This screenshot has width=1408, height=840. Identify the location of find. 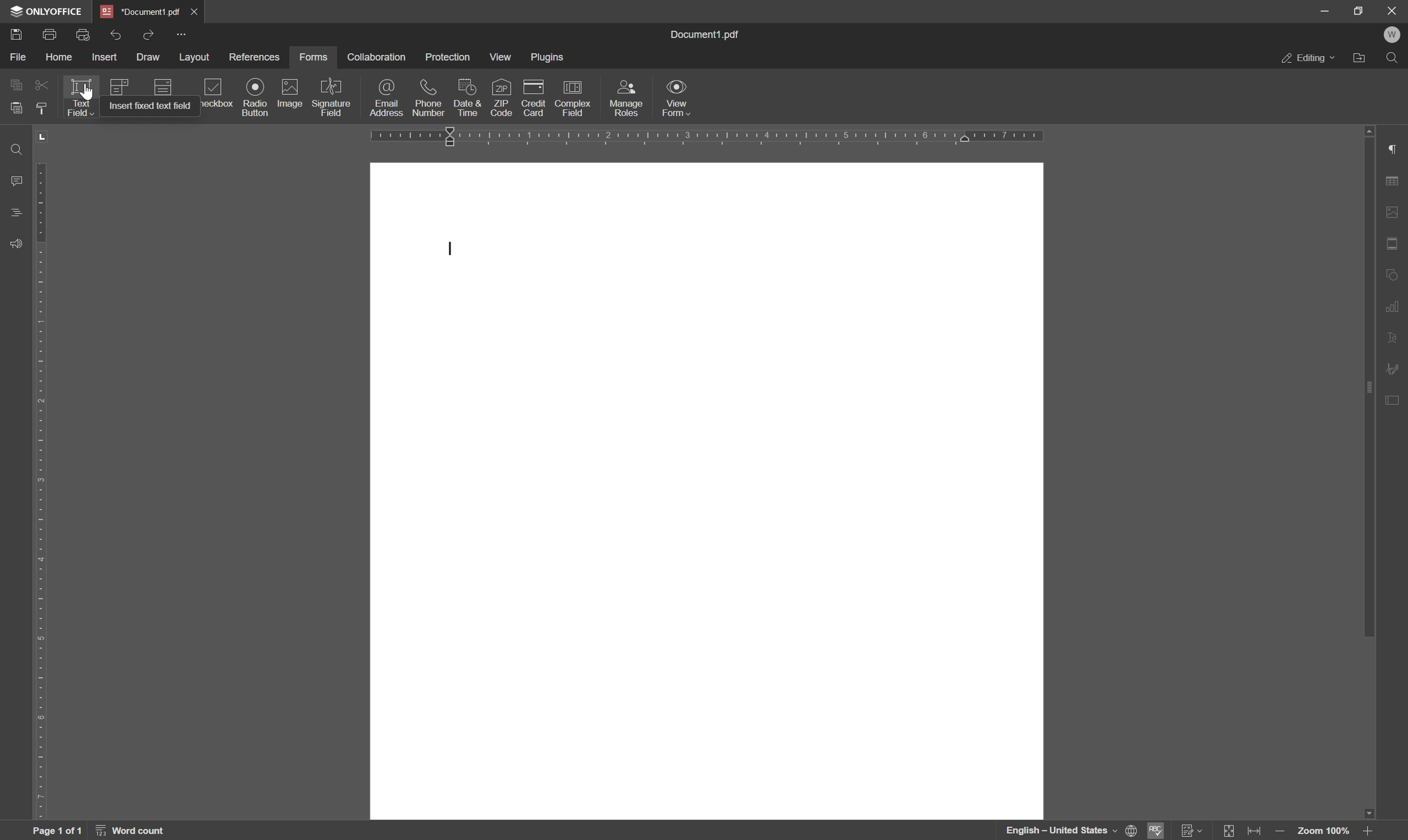
(1394, 58).